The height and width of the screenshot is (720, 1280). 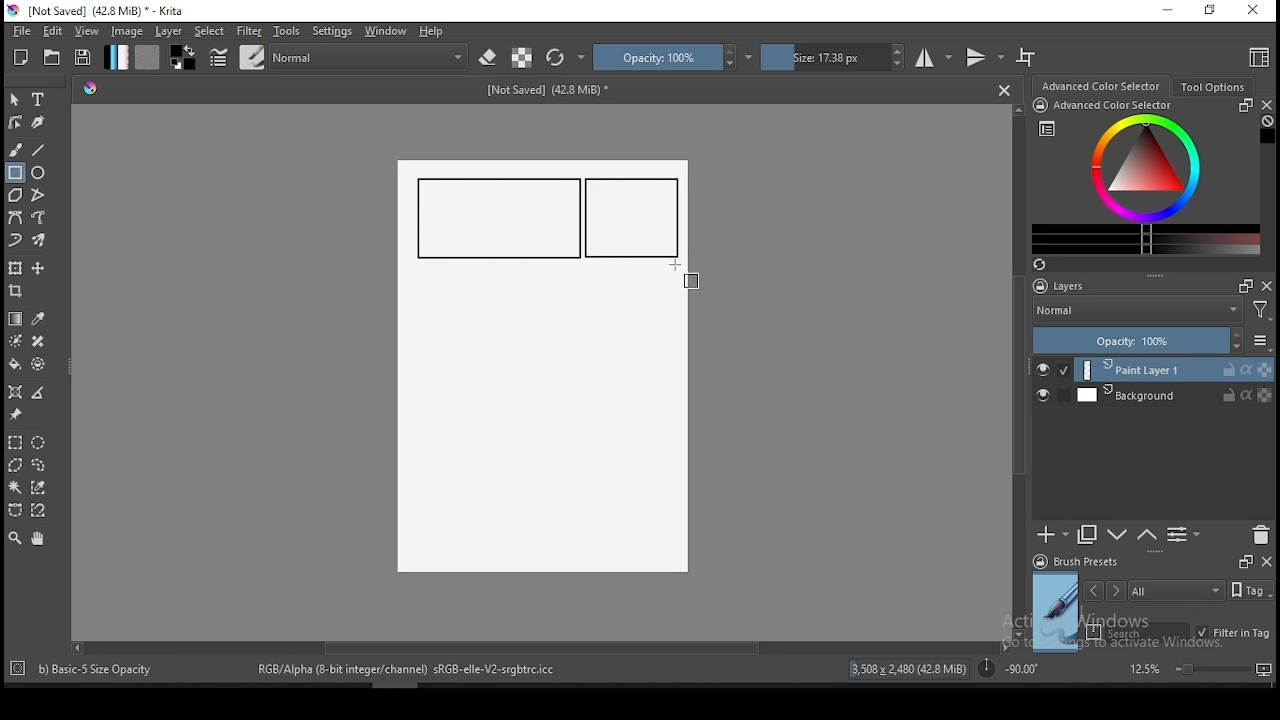 I want to click on reference images tool, so click(x=14, y=415).